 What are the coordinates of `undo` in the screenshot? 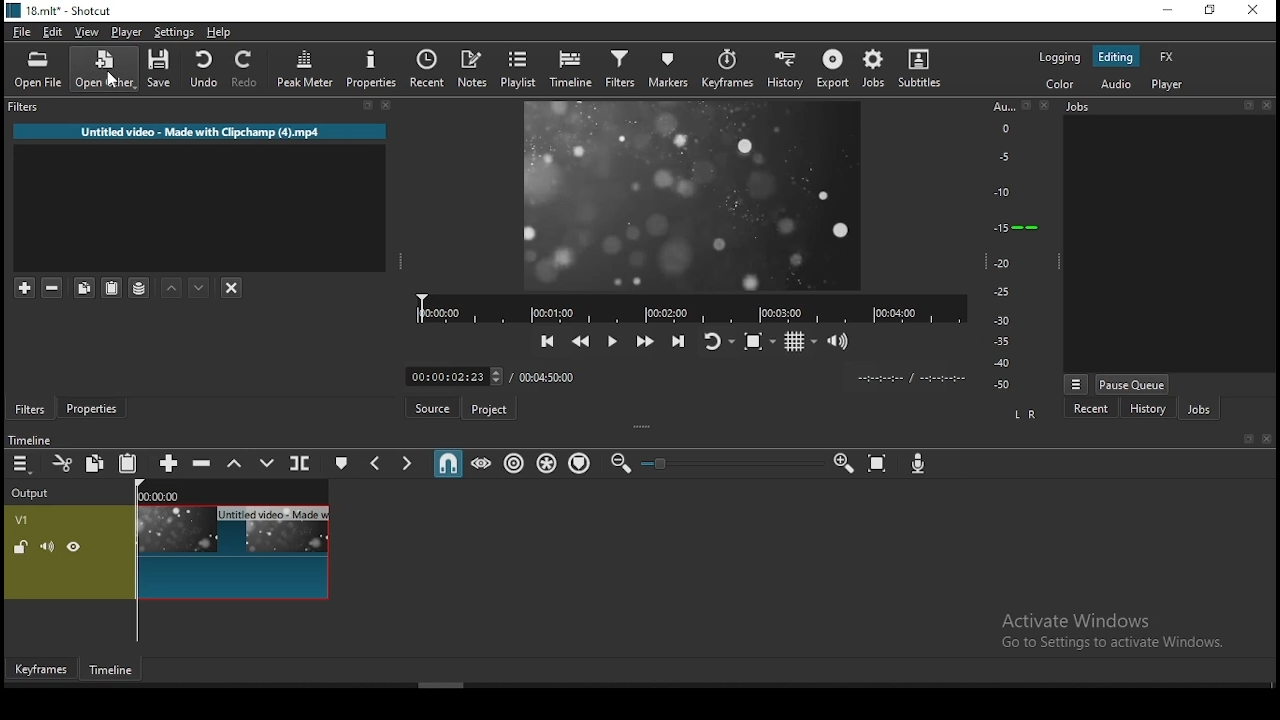 It's located at (203, 69).